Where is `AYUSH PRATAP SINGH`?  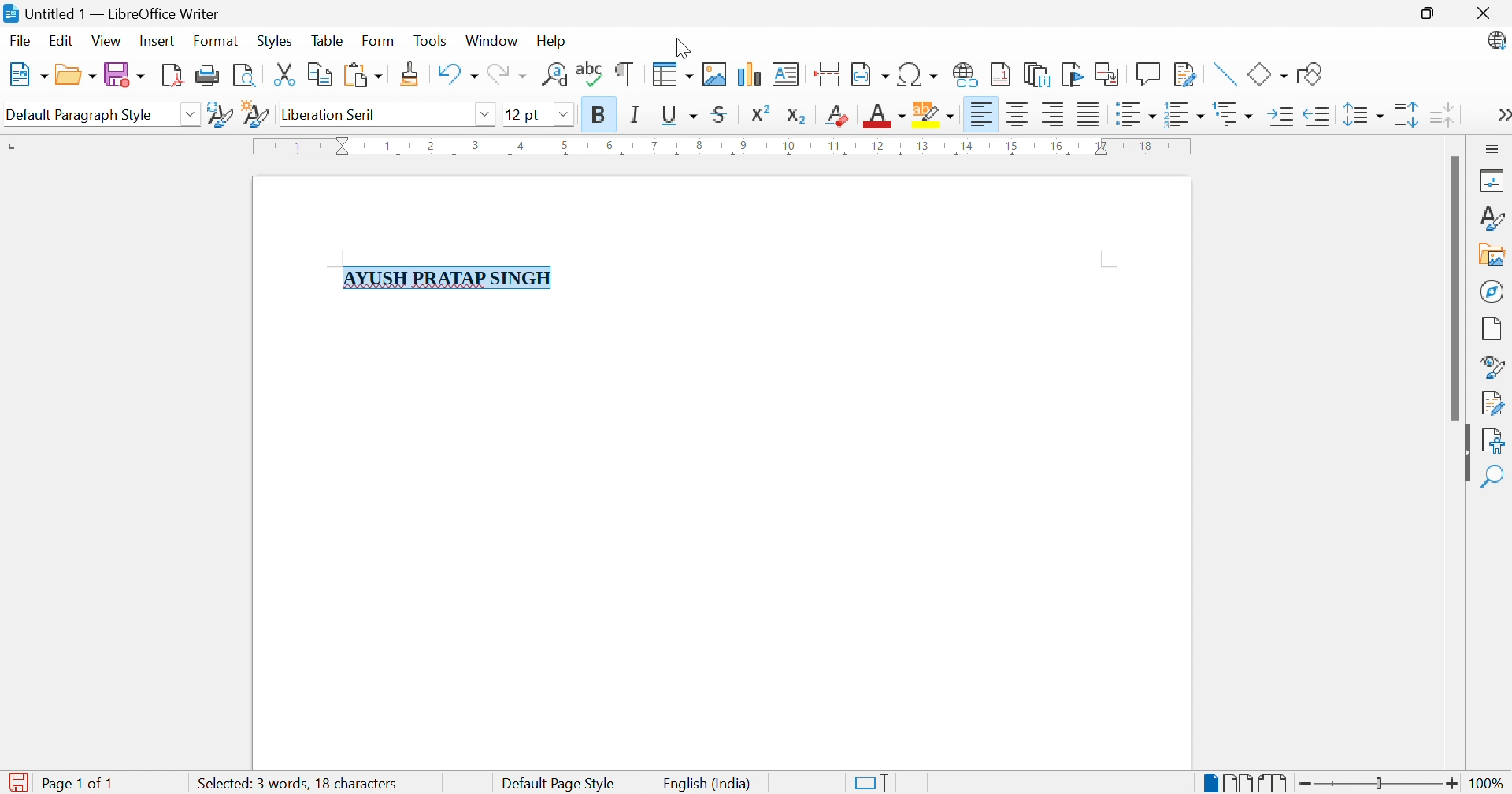
AYUSH PRATAP SINGH is located at coordinates (450, 278).